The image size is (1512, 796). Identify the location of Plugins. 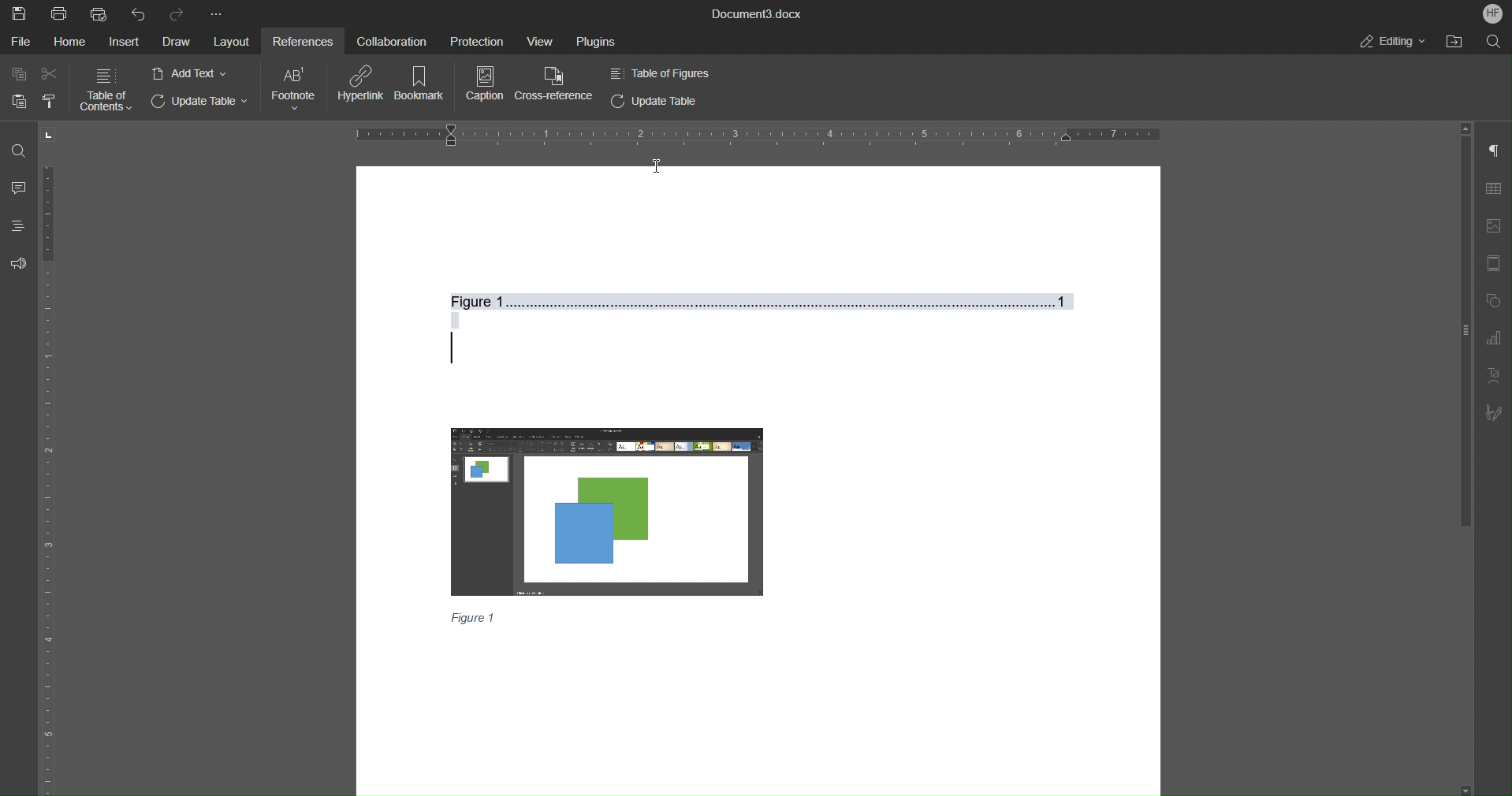
(594, 41).